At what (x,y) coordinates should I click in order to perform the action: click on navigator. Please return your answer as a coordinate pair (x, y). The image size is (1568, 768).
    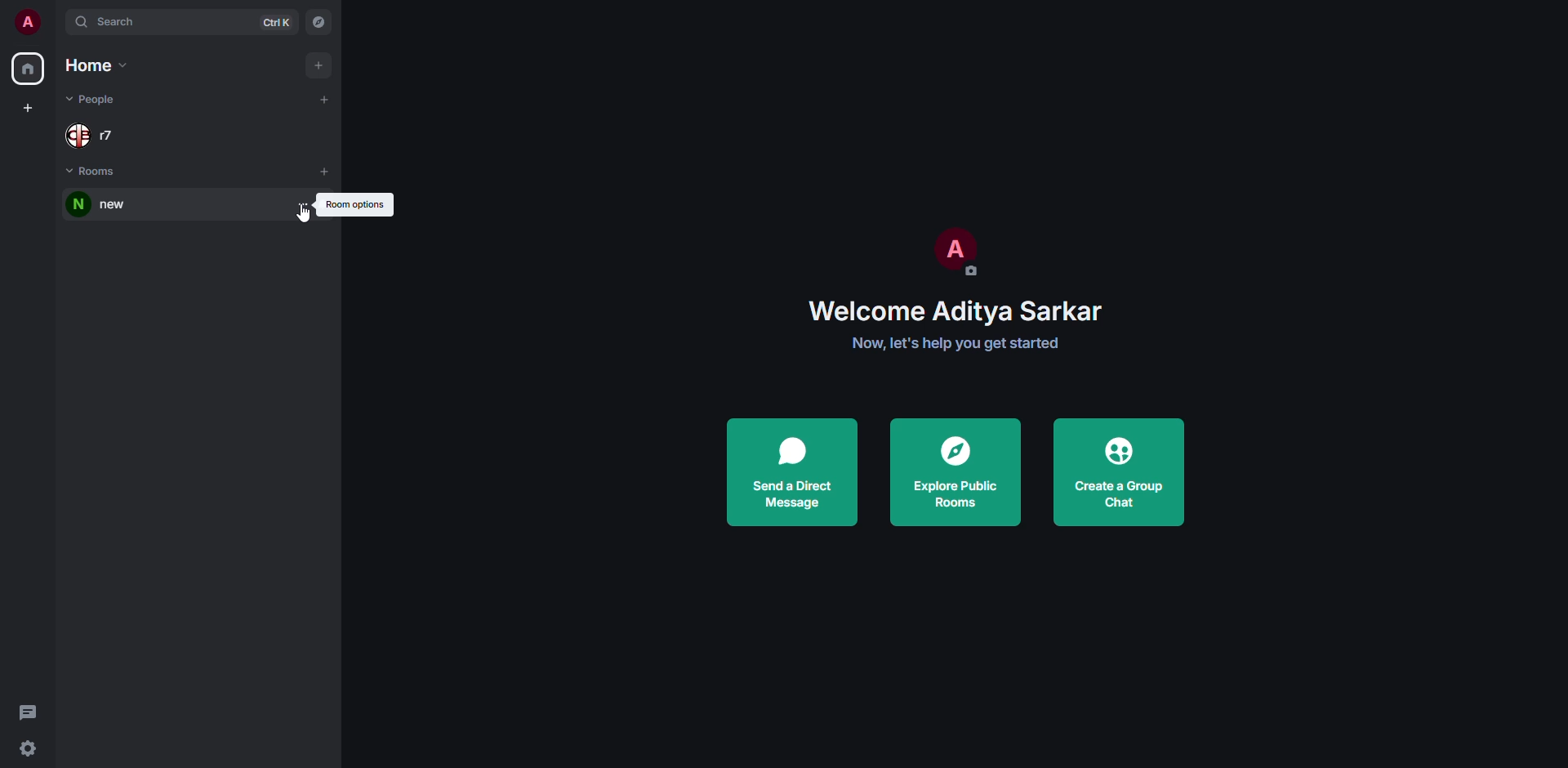
    Looking at the image, I should click on (317, 20).